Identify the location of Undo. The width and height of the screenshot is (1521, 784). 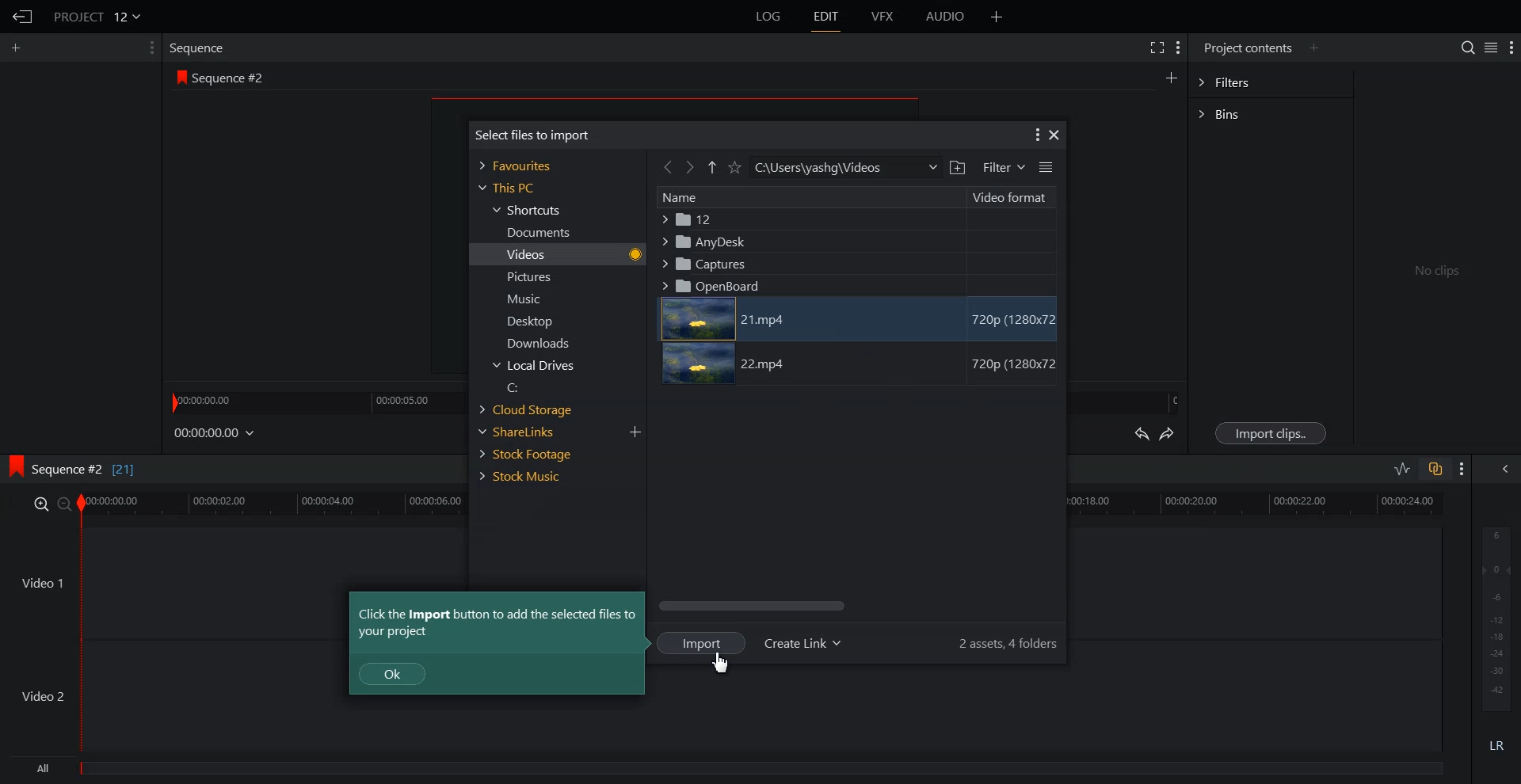
(1141, 433).